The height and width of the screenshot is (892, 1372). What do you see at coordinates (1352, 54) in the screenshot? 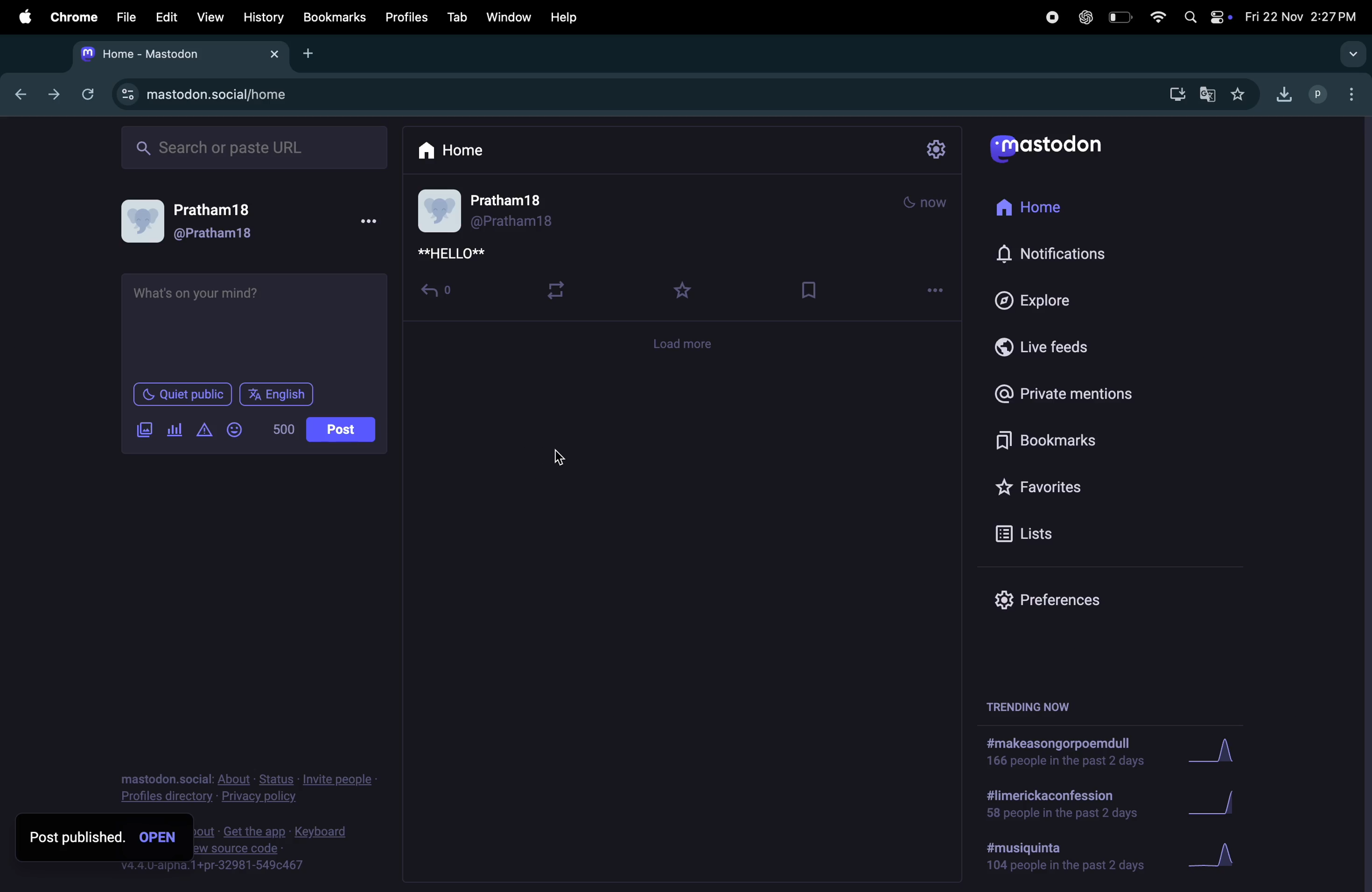
I see `drop down` at bounding box center [1352, 54].